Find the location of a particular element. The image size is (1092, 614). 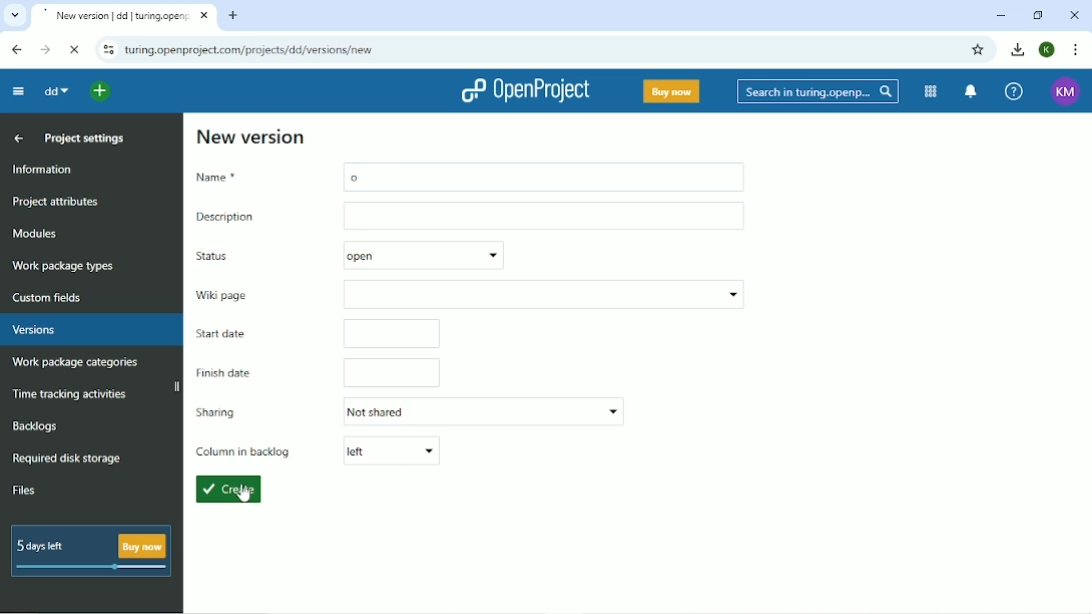

Close is located at coordinates (1074, 15).